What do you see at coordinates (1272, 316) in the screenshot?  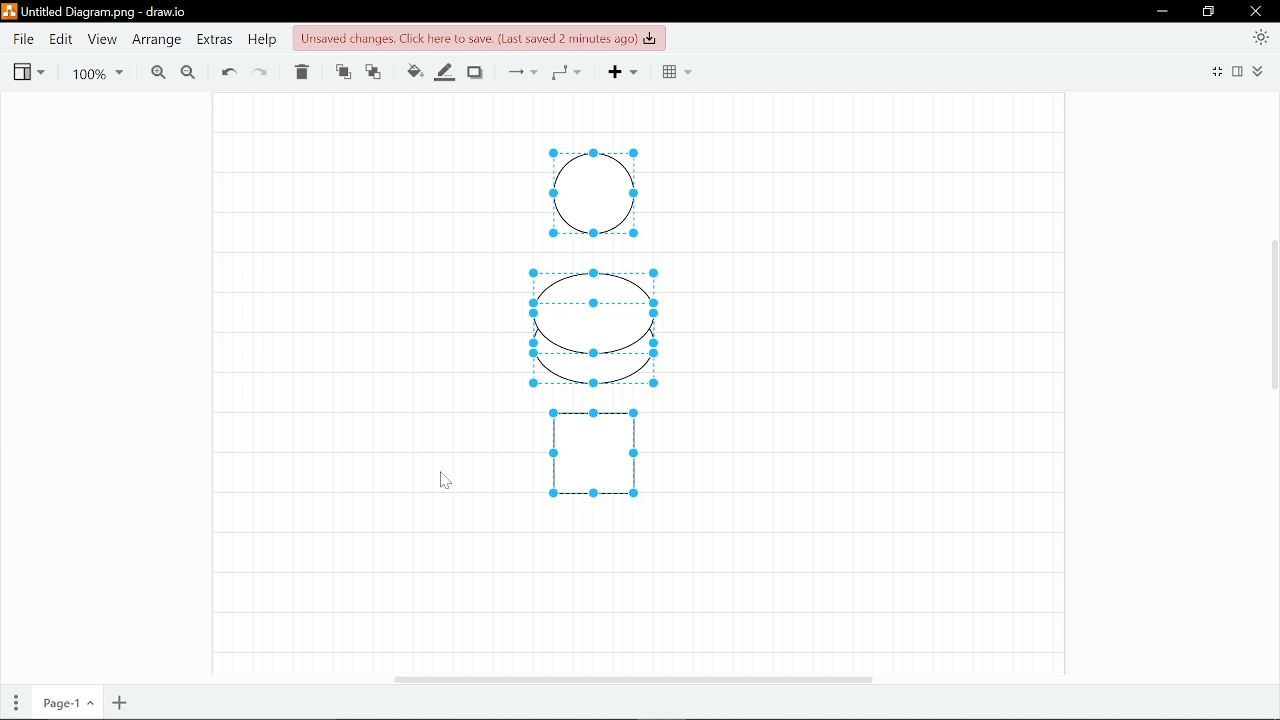 I see `Vertical cursor` at bounding box center [1272, 316].